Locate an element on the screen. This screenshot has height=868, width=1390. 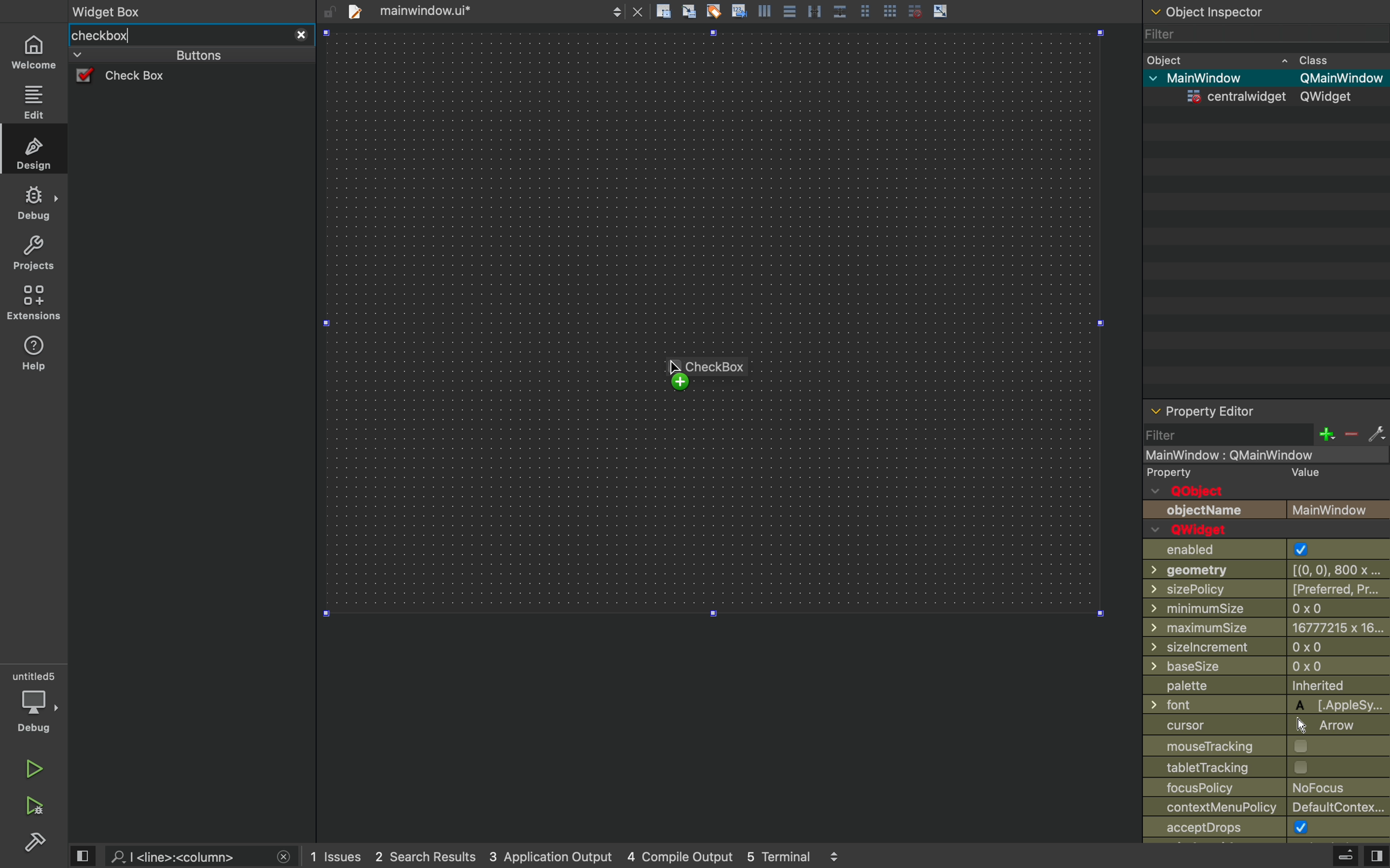
property editor is located at coordinates (1267, 411).